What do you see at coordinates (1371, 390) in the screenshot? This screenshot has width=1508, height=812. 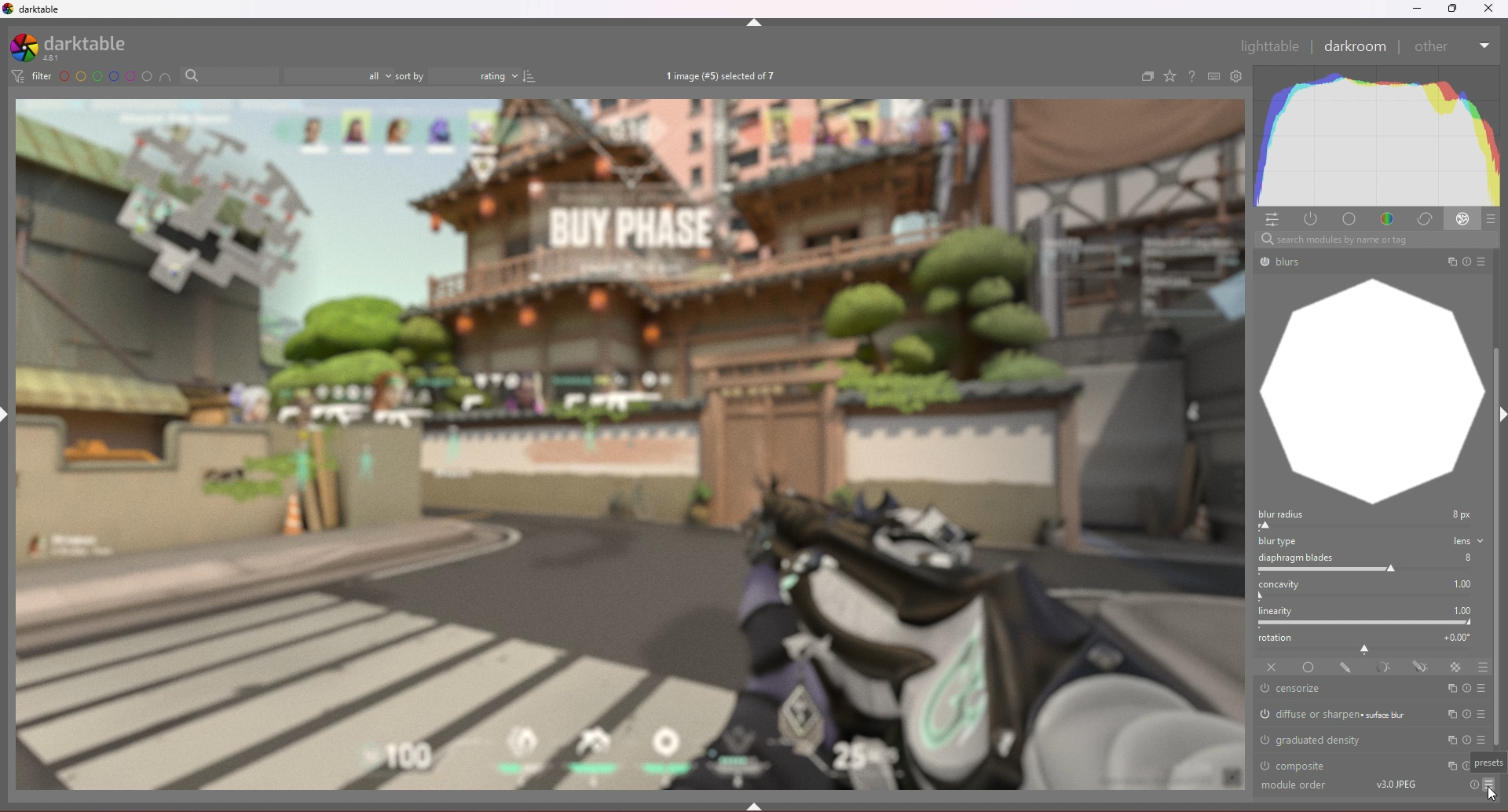 I see `graph` at bounding box center [1371, 390].